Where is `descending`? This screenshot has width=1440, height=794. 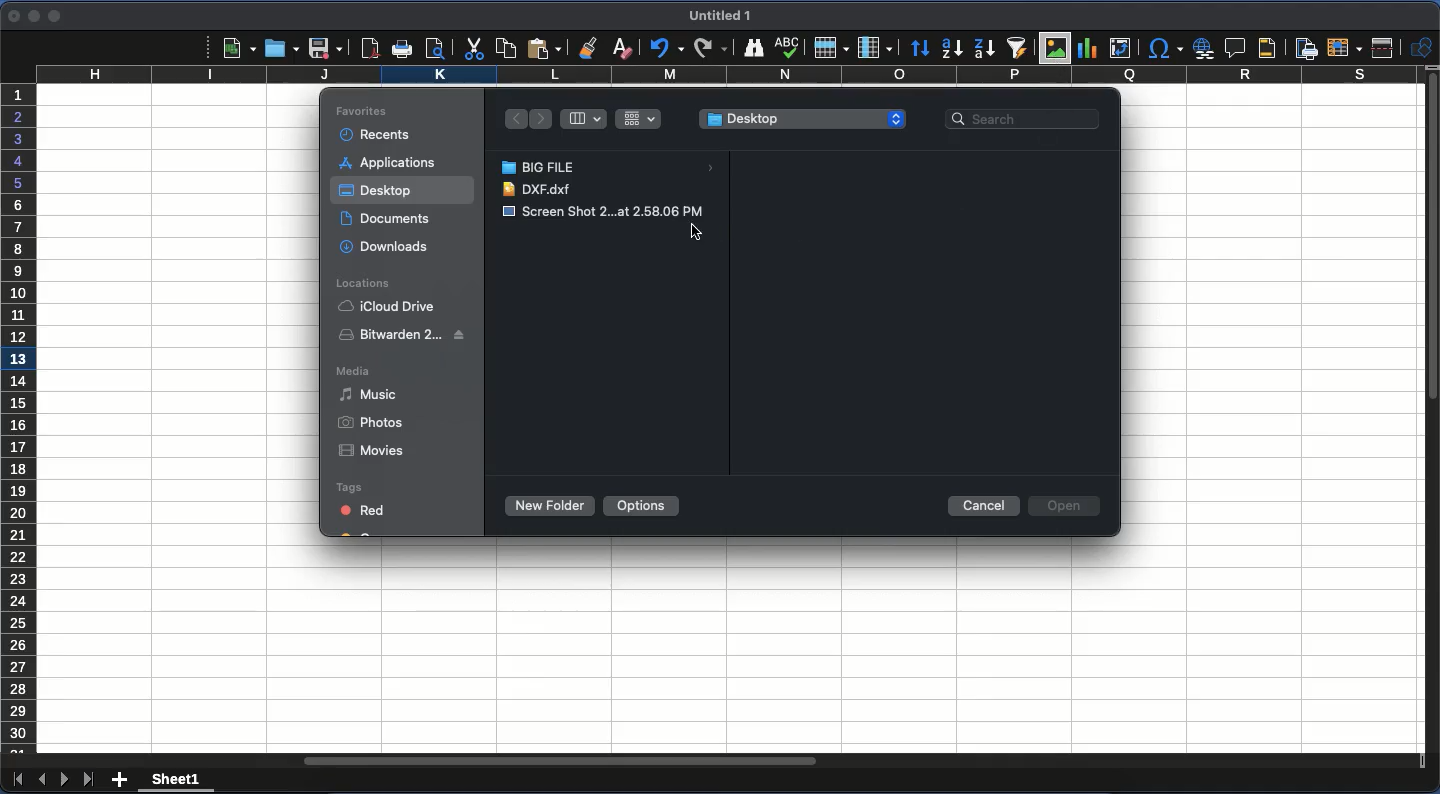
descending is located at coordinates (982, 49).